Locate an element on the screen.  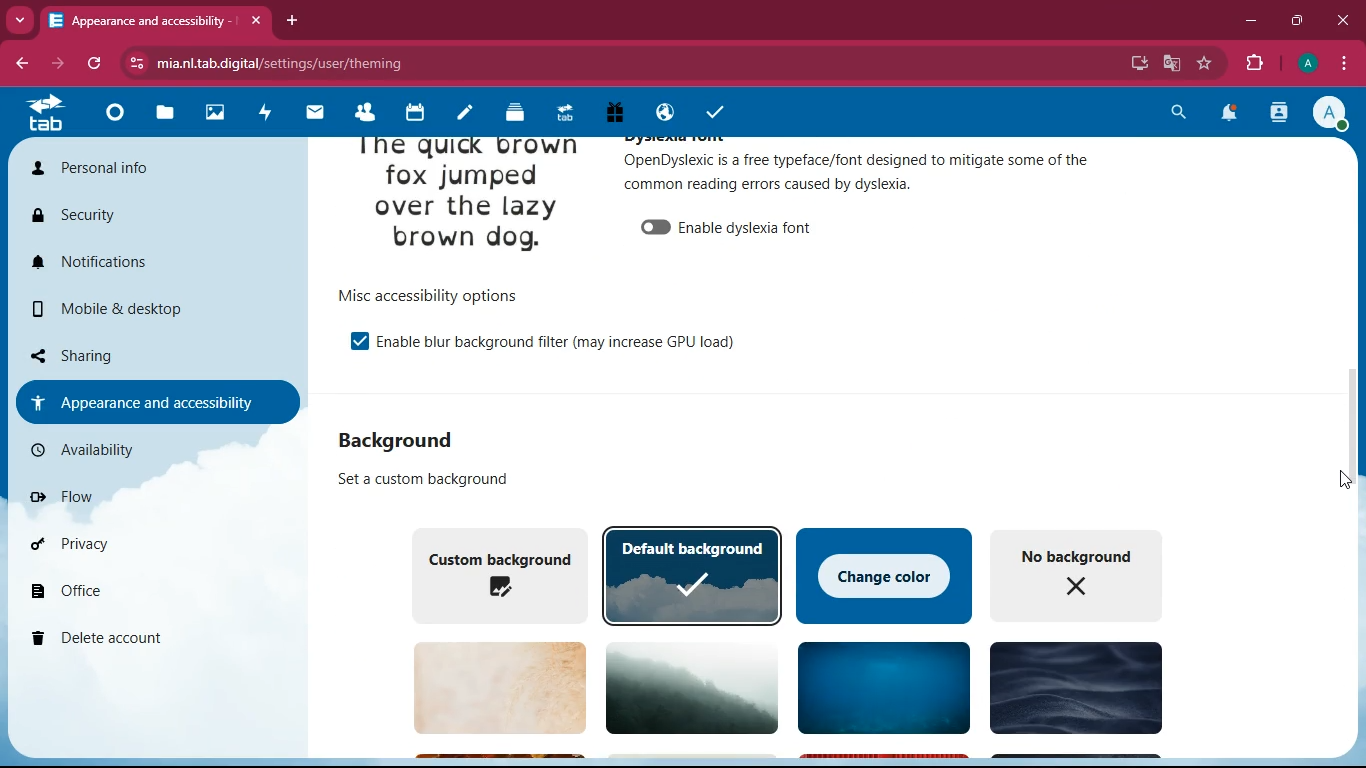
image is located at coordinates (468, 201).